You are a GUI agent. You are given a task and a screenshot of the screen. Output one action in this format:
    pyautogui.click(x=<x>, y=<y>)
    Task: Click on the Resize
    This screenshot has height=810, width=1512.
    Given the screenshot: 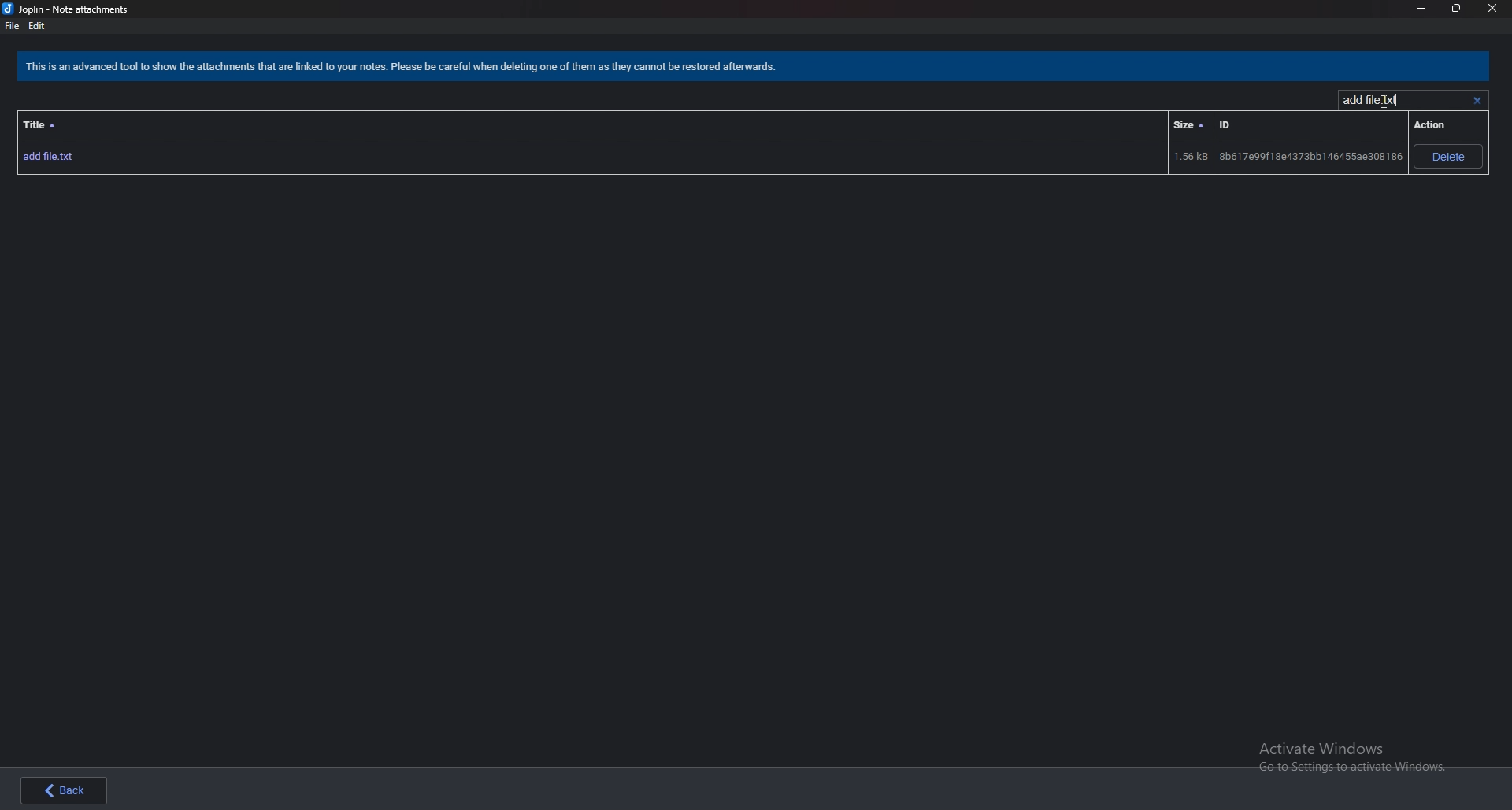 What is the action you would take?
    pyautogui.click(x=1455, y=8)
    